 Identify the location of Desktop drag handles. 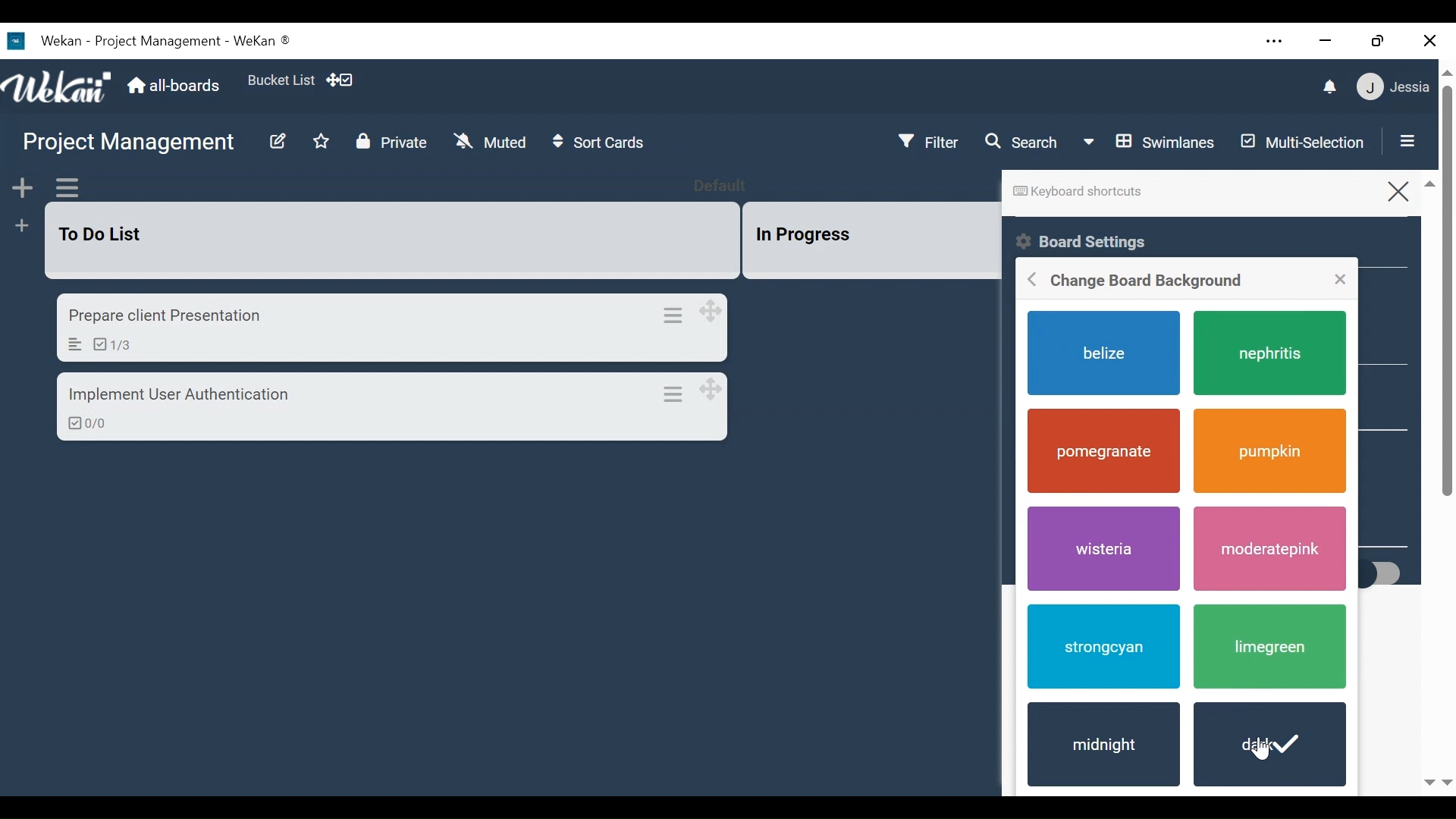
(718, 311).